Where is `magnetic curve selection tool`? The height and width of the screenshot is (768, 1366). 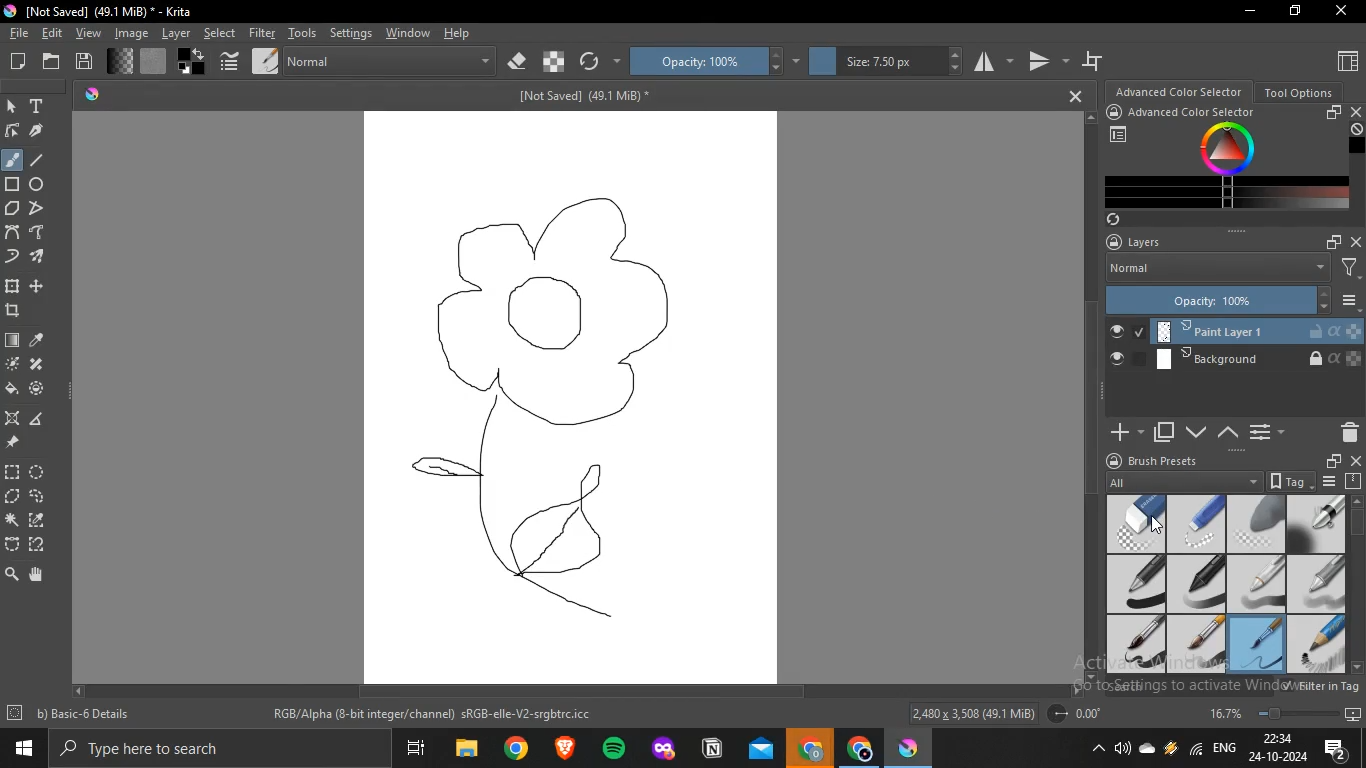 magnetic curve selection tool is located at coordinates (39, 544).